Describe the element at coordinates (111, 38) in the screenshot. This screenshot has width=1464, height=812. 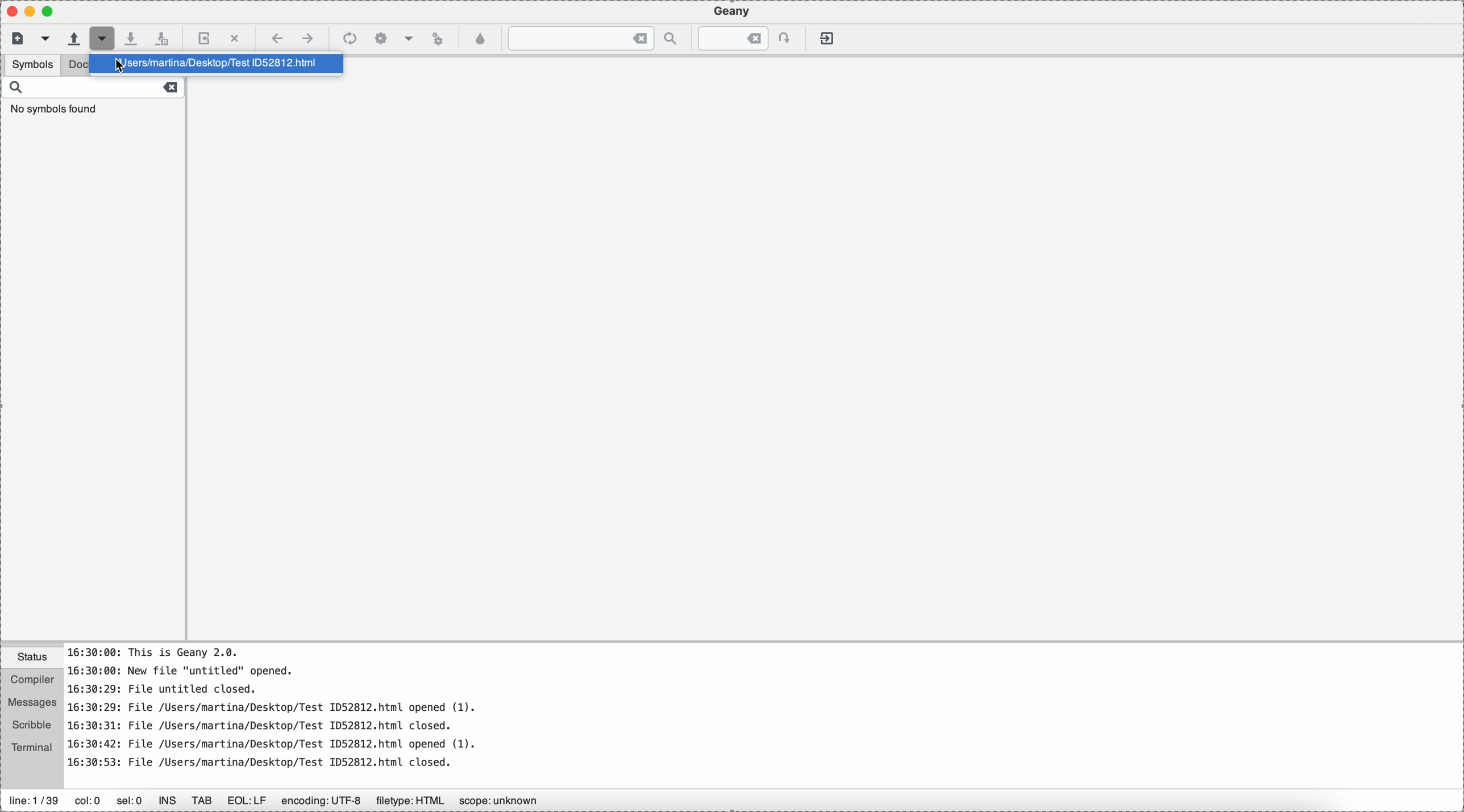
I see `open a recent file` at that location.